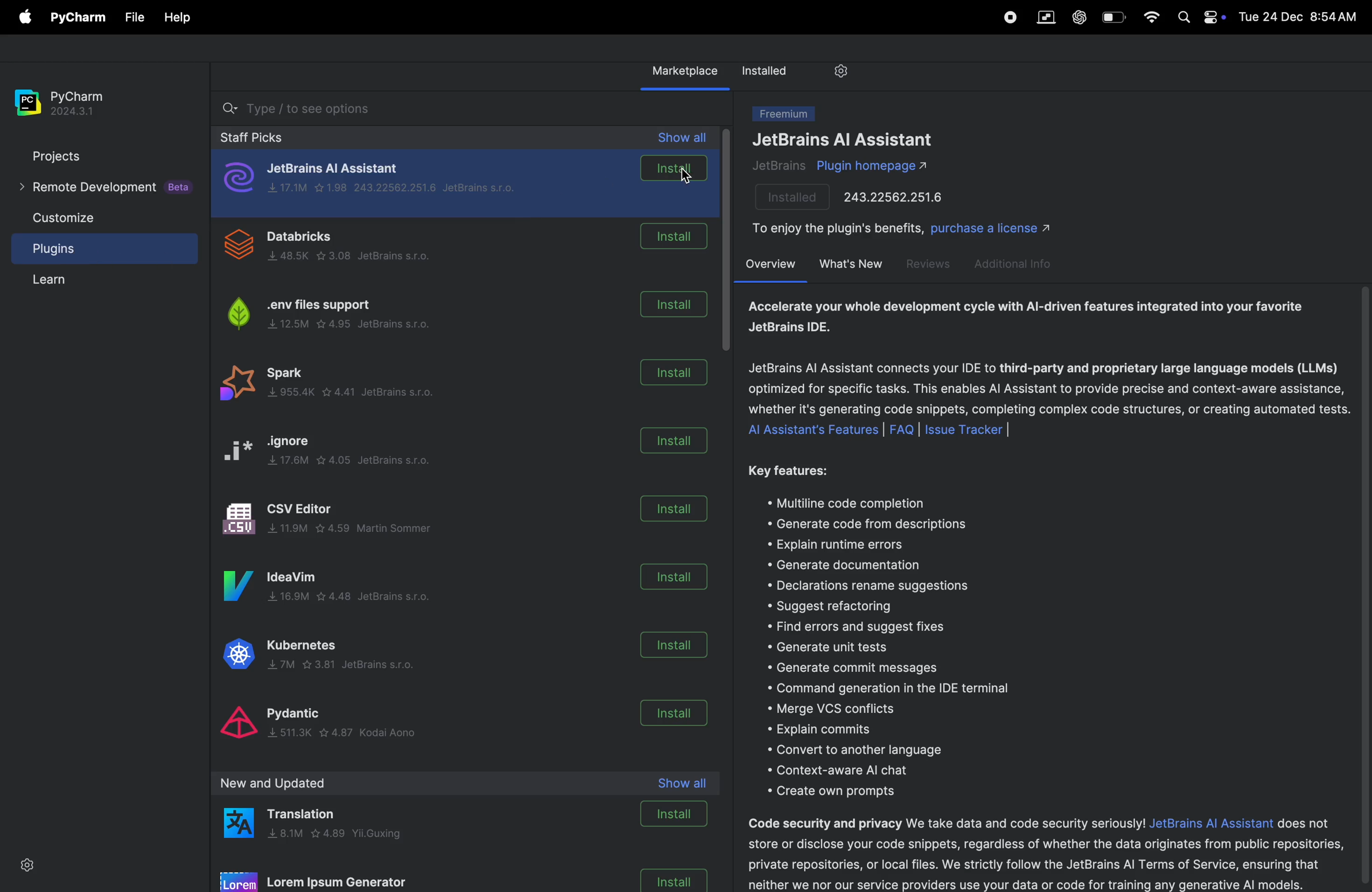  Describe the element at coordinates (346, 823) in the screenshot. I see `translation` at that location.